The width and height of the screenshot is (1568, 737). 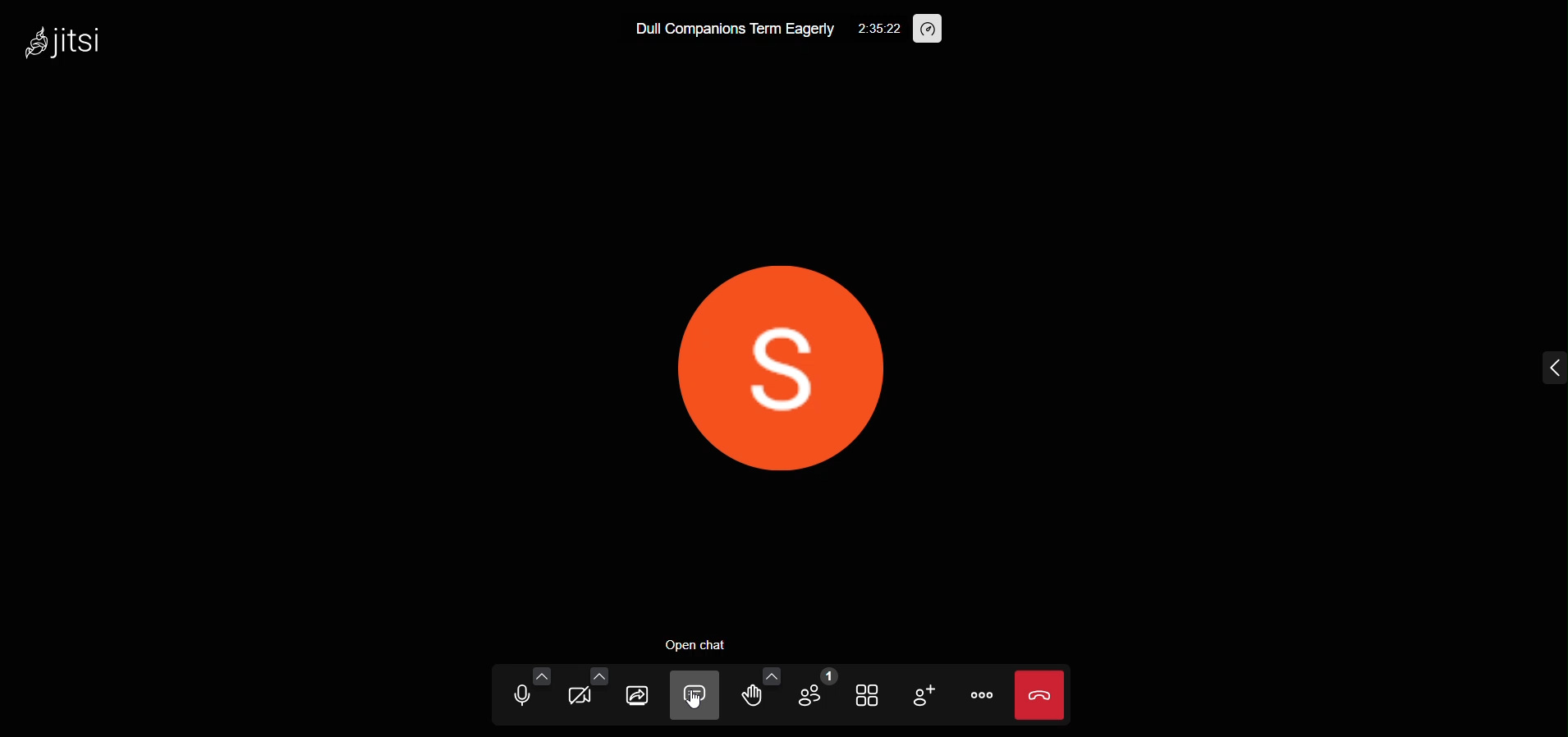 What do you see at coordinates (597, 675) in the screenshot?
I see `video setting` at bounding box center [597, 675].